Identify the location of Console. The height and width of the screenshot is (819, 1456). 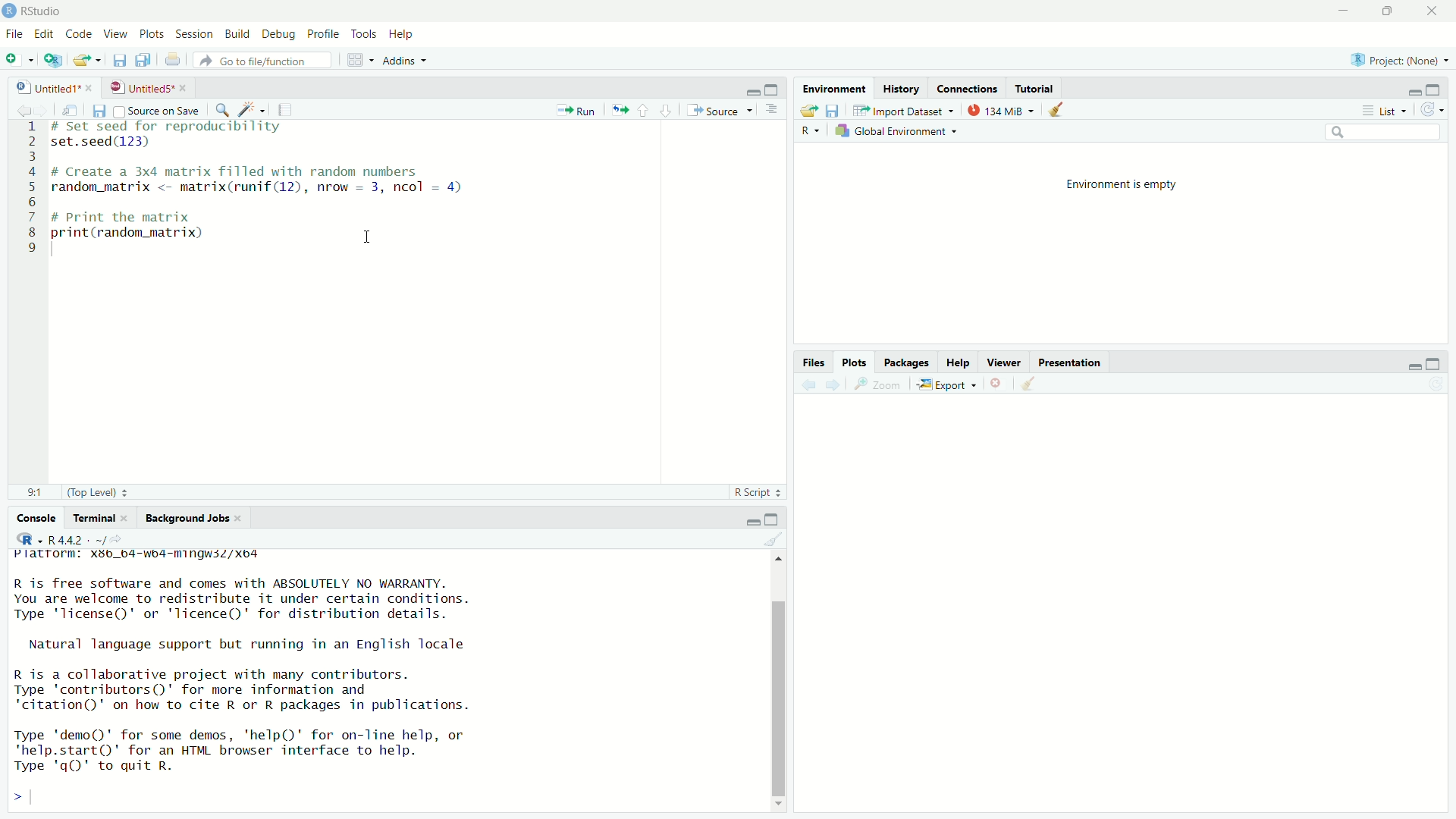
(36, 516).